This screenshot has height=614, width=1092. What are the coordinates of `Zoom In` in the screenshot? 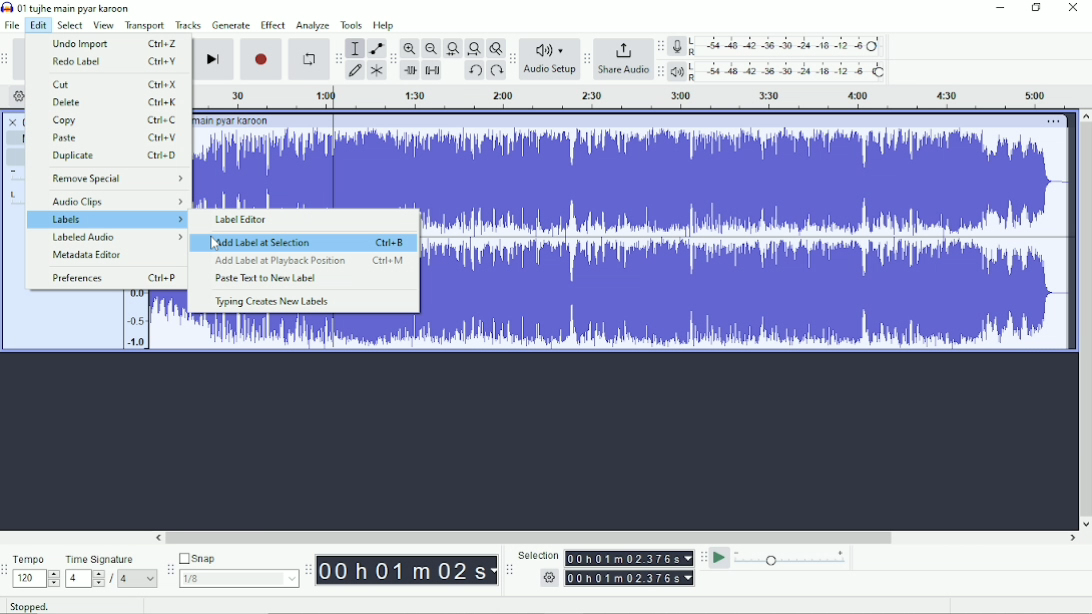 It's located at (410, 49).